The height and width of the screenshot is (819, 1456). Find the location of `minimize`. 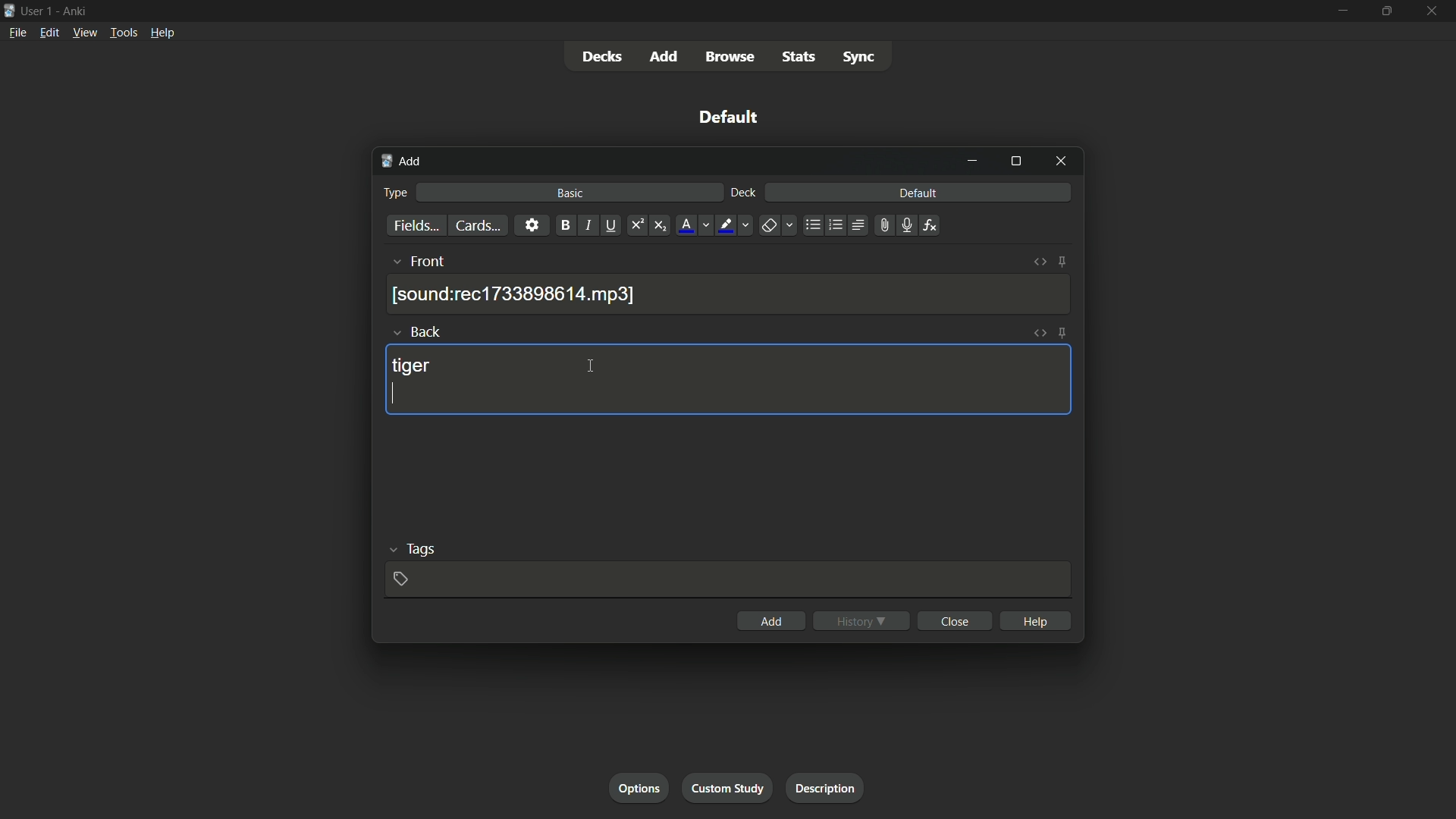

minimize is located at coordinates (1341, 11).